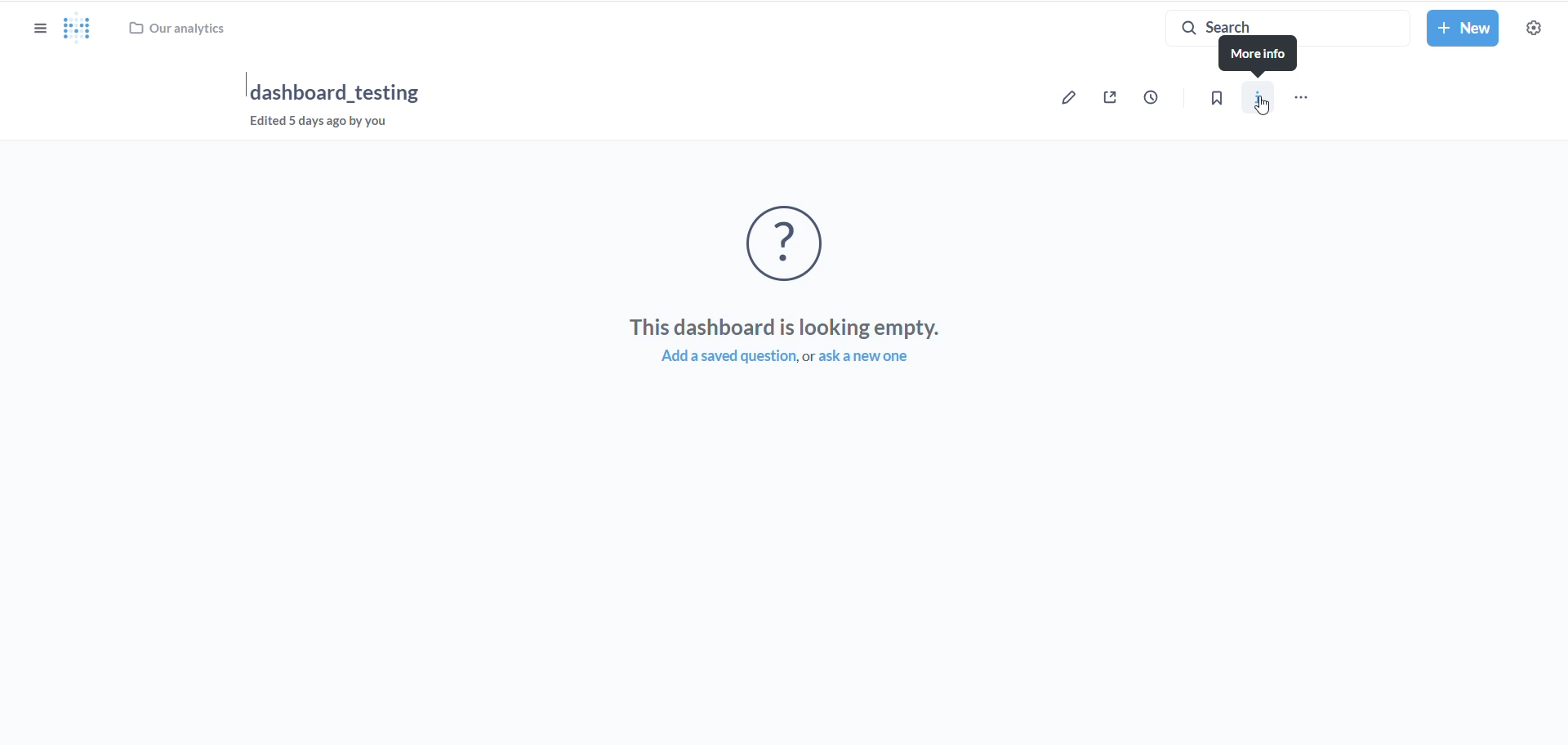 Image resolution: width=1568 pixels, height=745 pixels. Describe the element at coordinates (1222, 103) in the screenshot. I see `bookmark` at that location.